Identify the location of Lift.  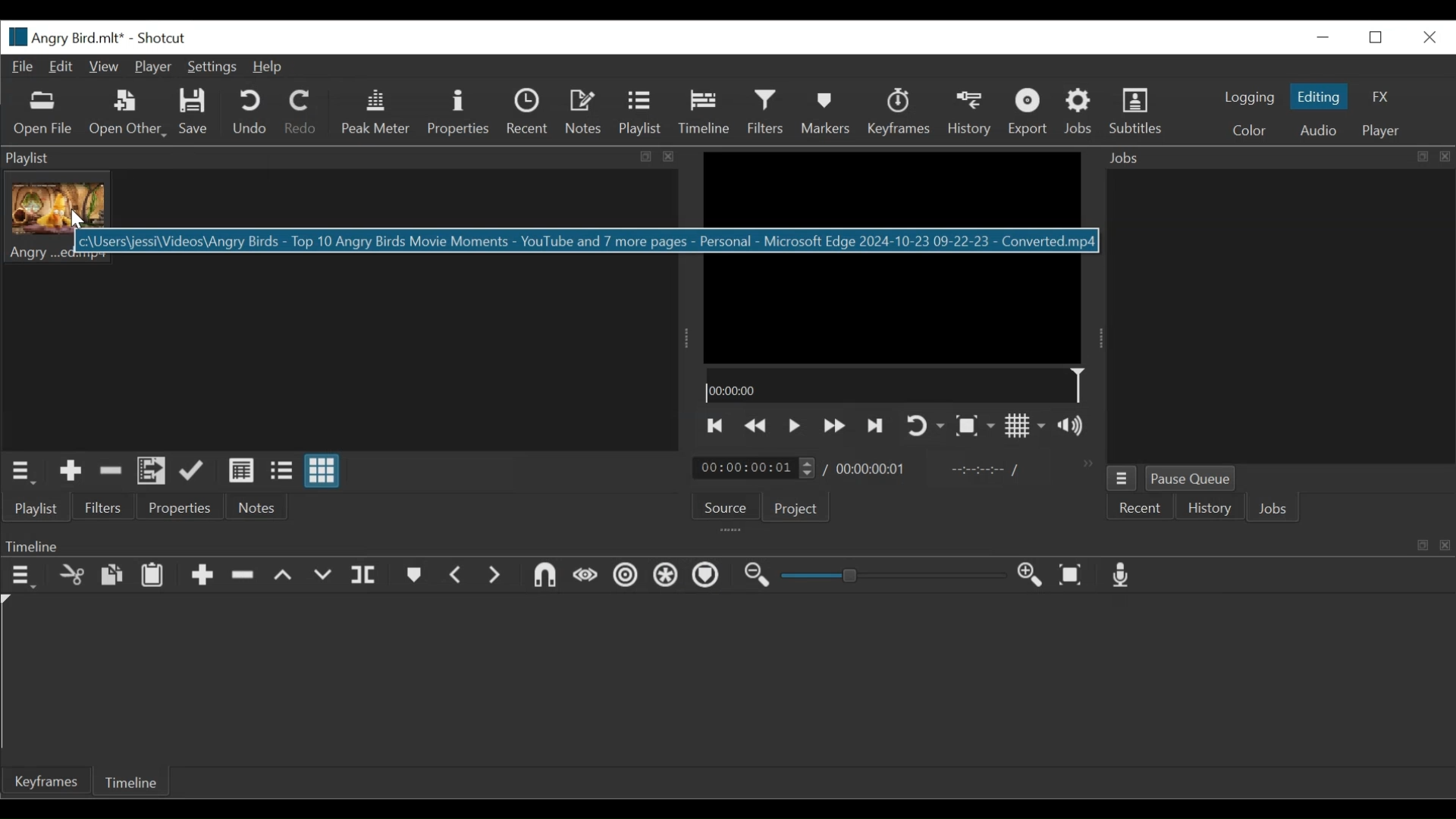
(285, 576).